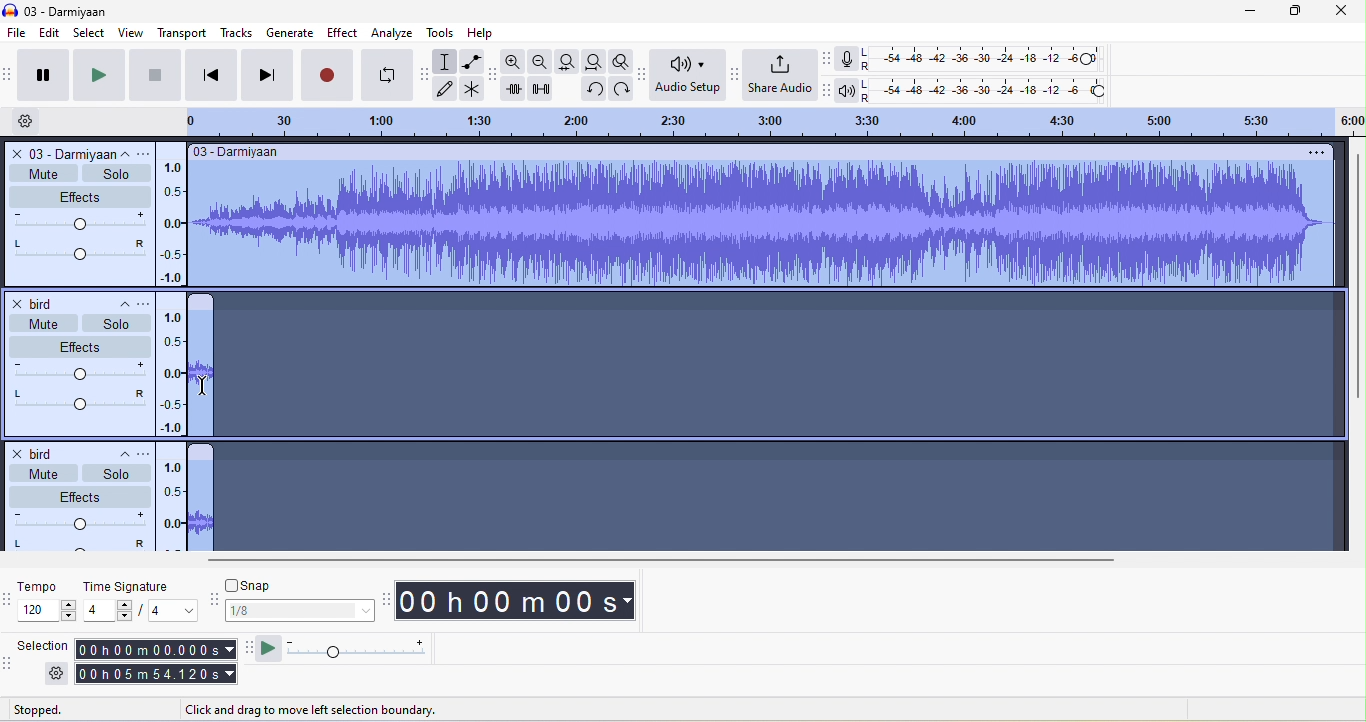 This screenshot has width=1366, height=722. I want to click on volume, so click(76, 372).